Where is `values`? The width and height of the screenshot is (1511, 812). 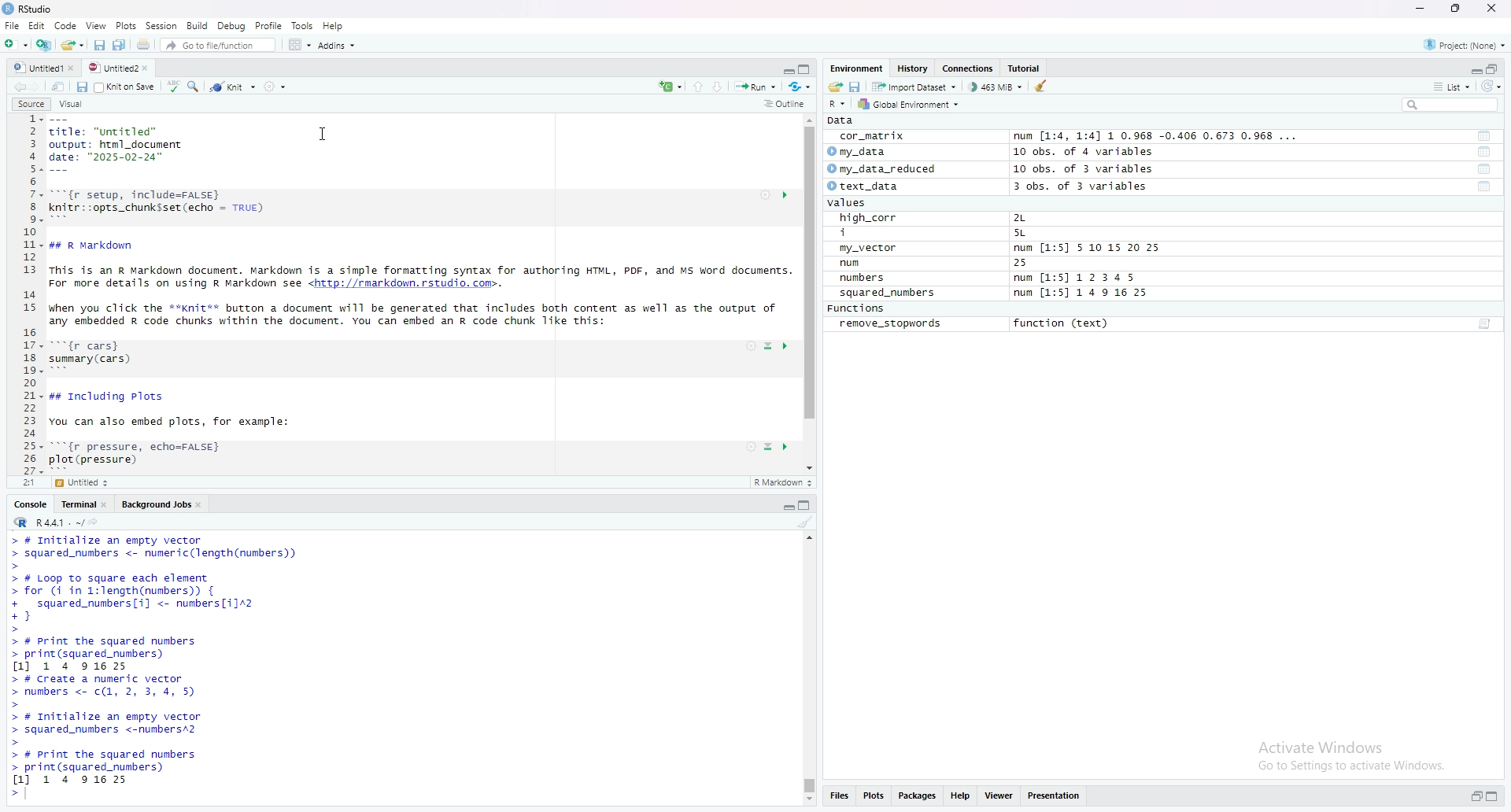
values is located at coordinates (857, 203).